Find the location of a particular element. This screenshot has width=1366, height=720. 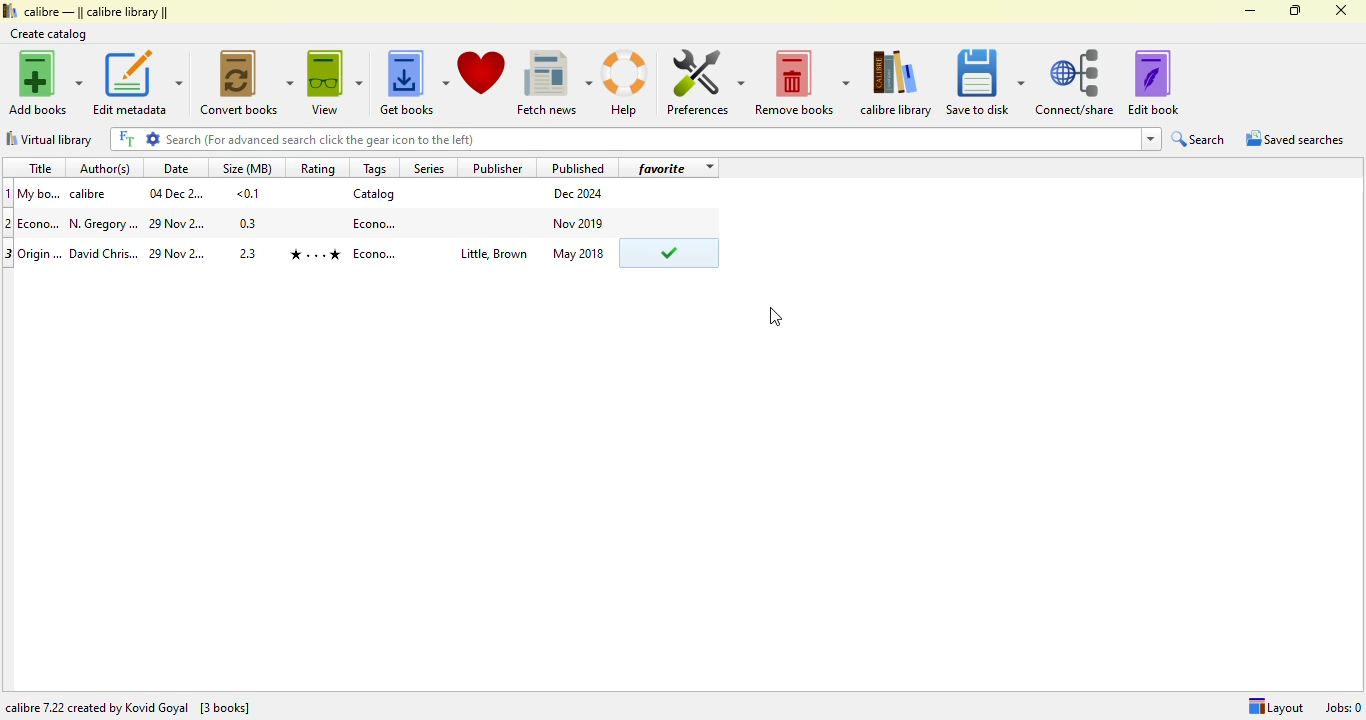

calibre 7.22 created by Kovid Goyal is located at coordinates (97, 708).